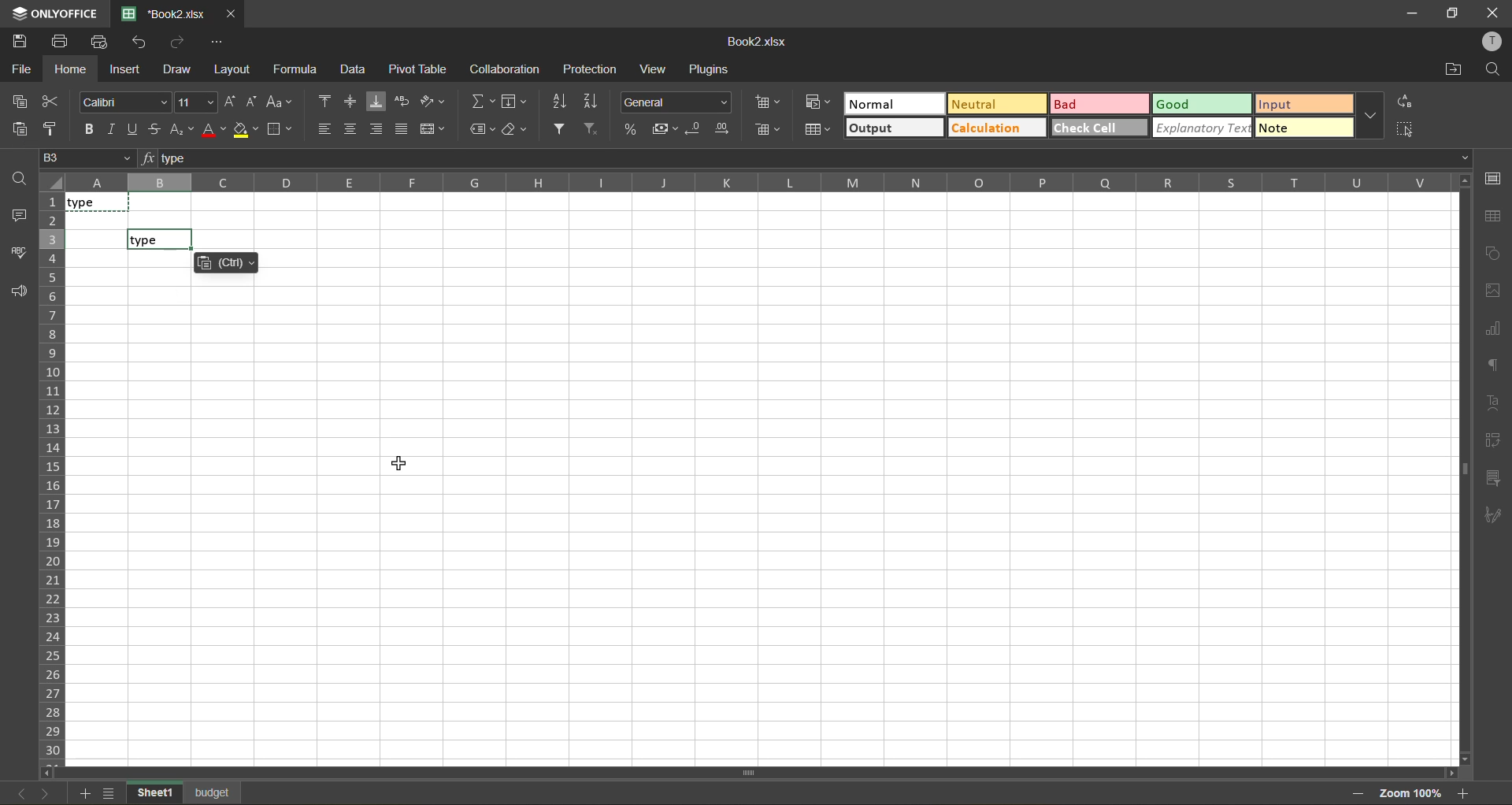 This screenshot has width=1512, height=805. I want to click on next, so click(50, 793).